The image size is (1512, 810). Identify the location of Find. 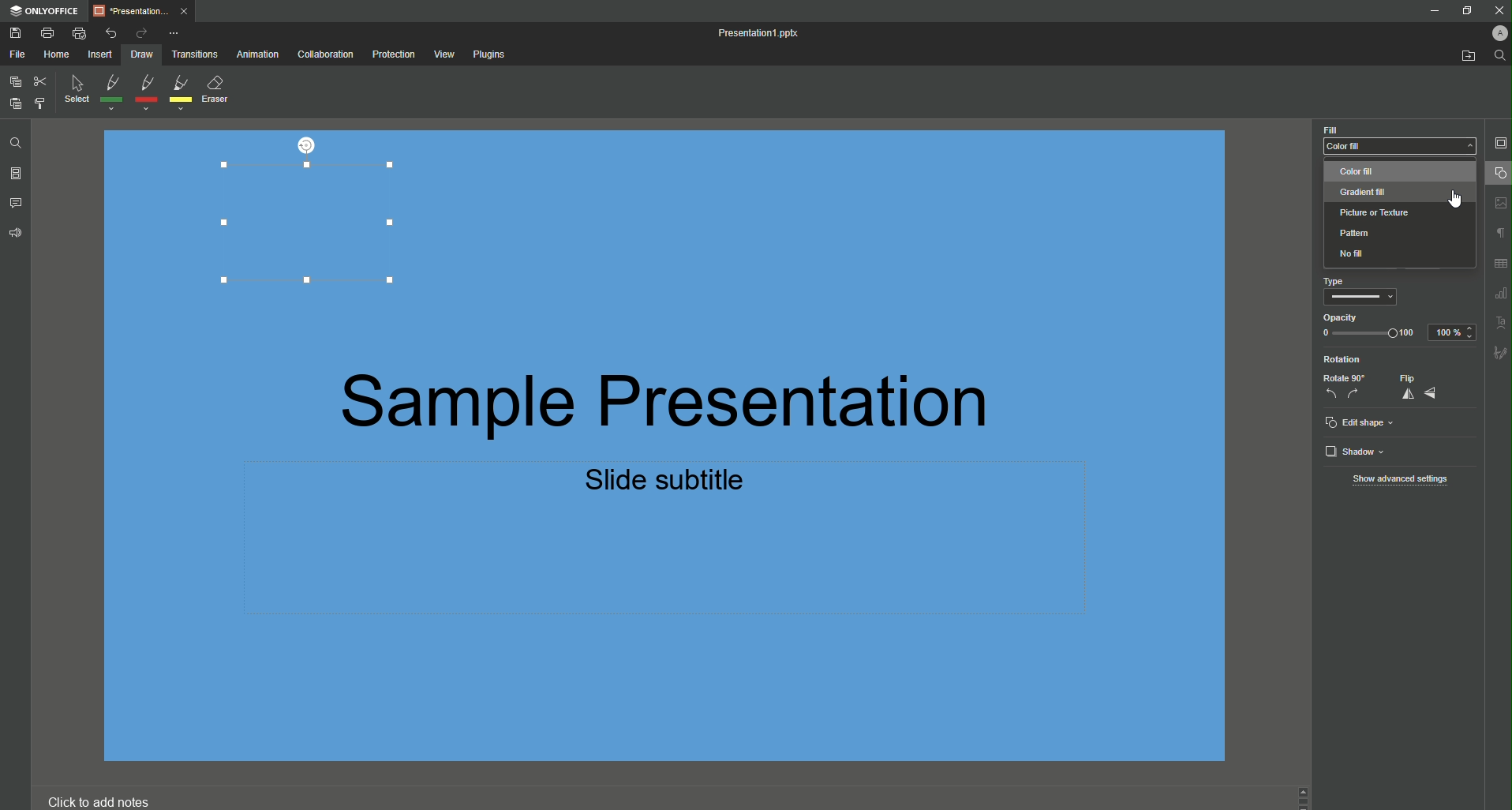
(1499, 56).